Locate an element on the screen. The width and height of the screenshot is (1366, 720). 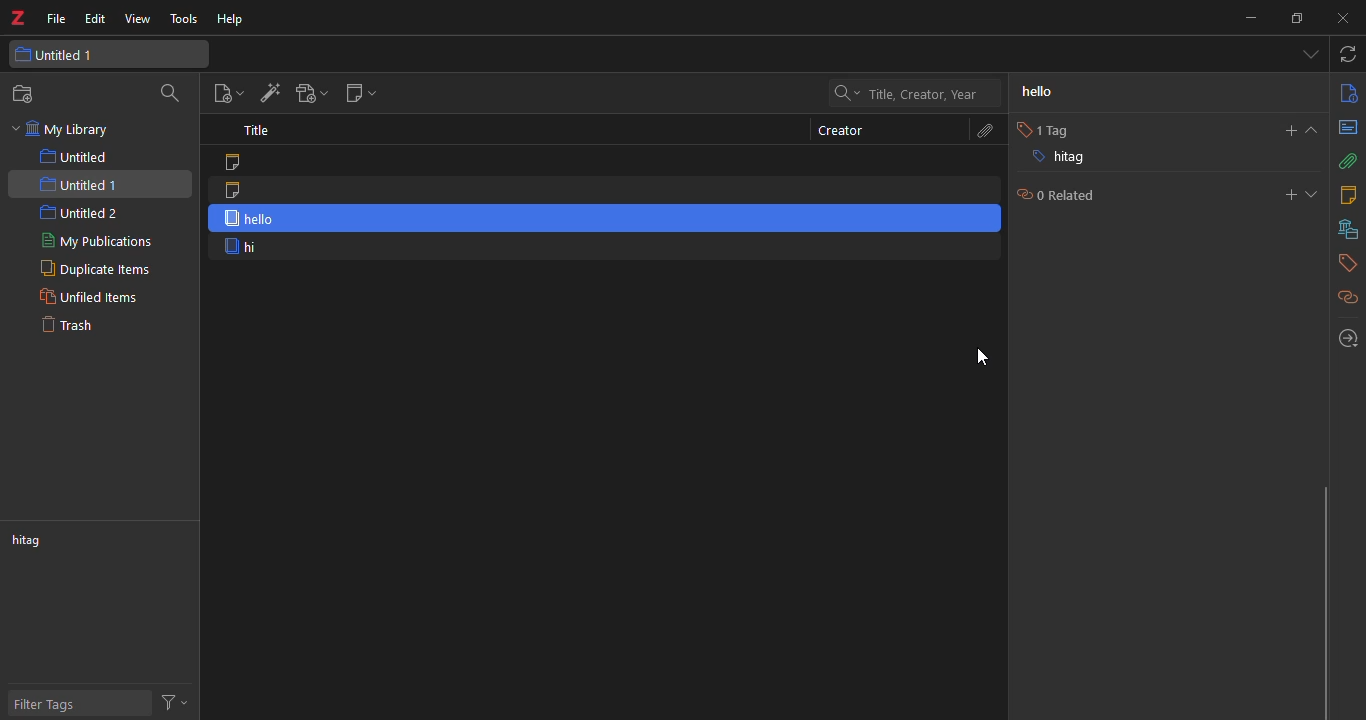
close is located at coordinates (1347, 19).